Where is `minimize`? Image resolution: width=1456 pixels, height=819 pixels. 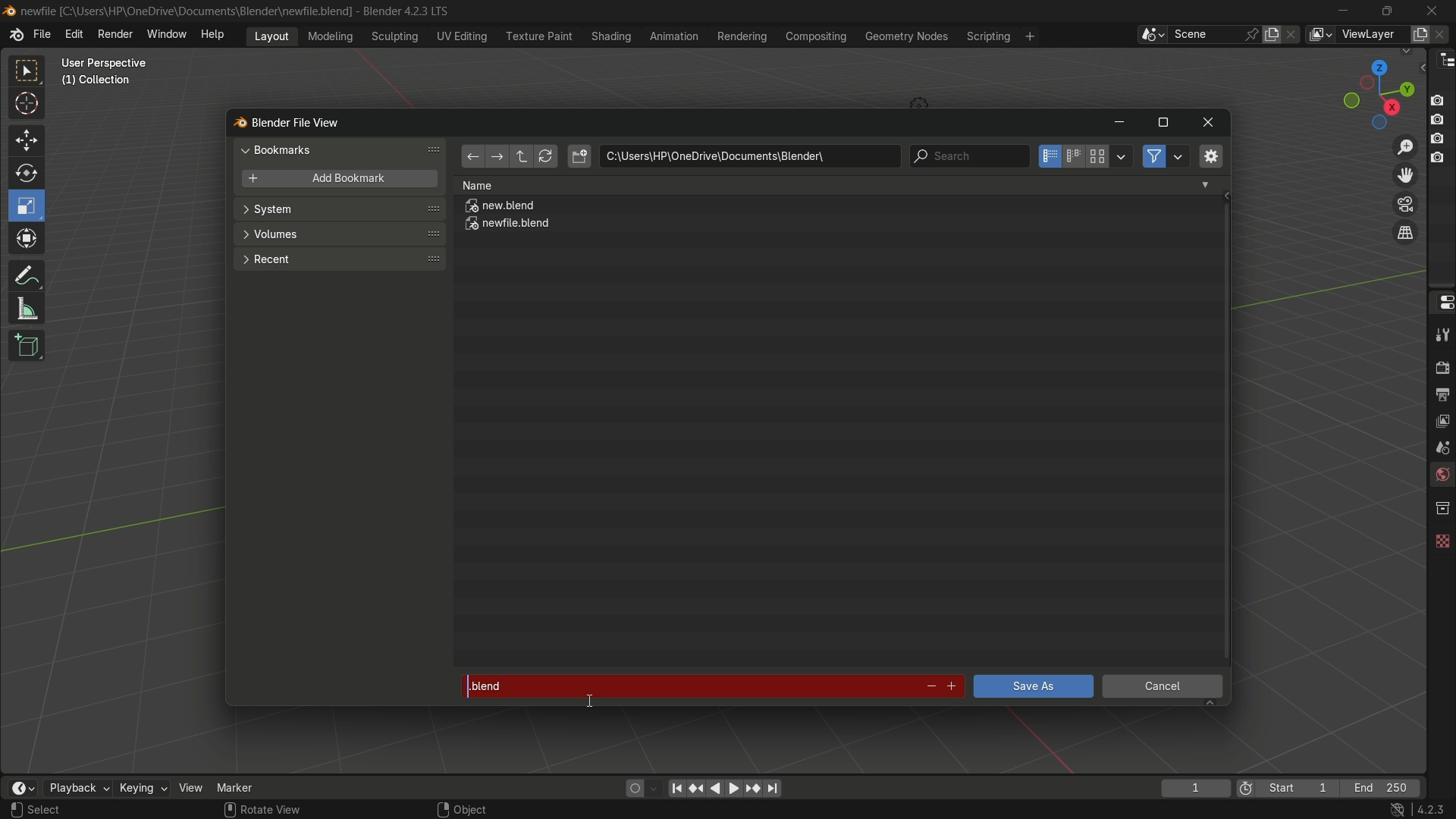 minimize is located at coordinates (1119, 124).